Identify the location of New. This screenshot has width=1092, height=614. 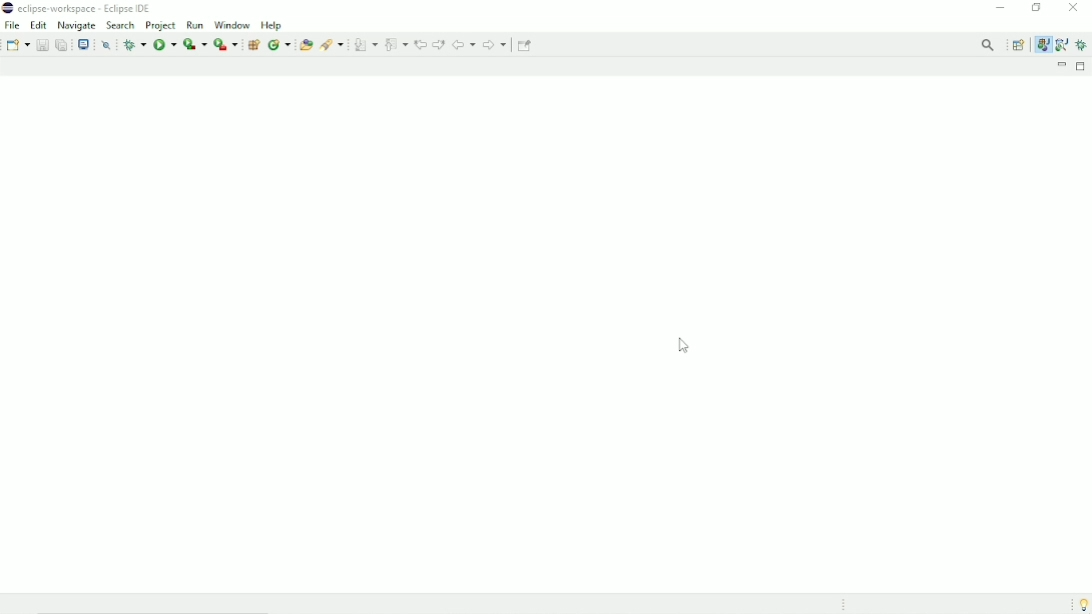
(17, 43).